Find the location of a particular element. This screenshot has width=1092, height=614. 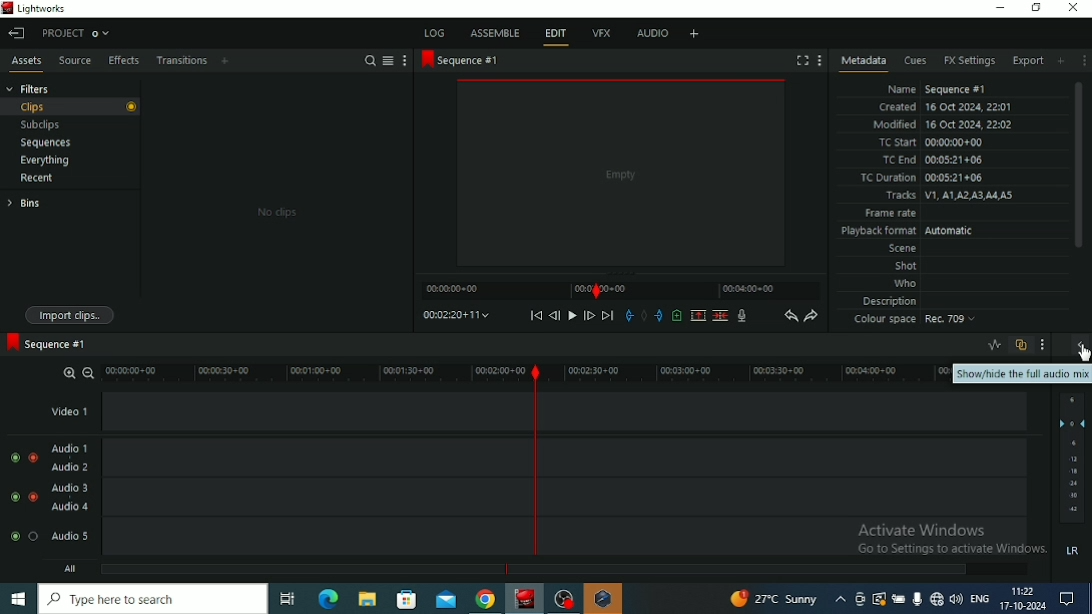

Created is located at coordinates (945, 106).